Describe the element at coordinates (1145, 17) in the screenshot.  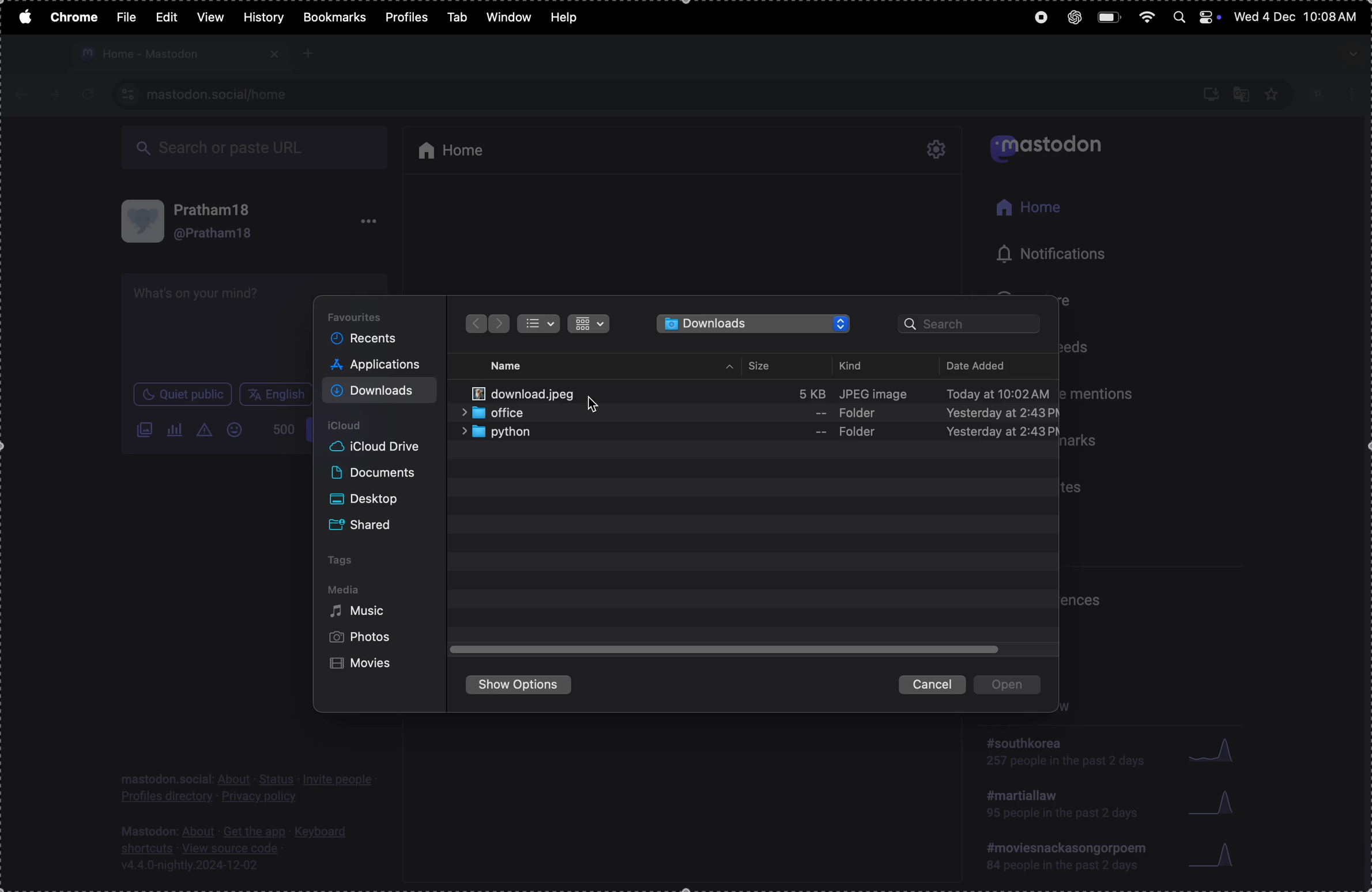
I see `wifi` at that location.